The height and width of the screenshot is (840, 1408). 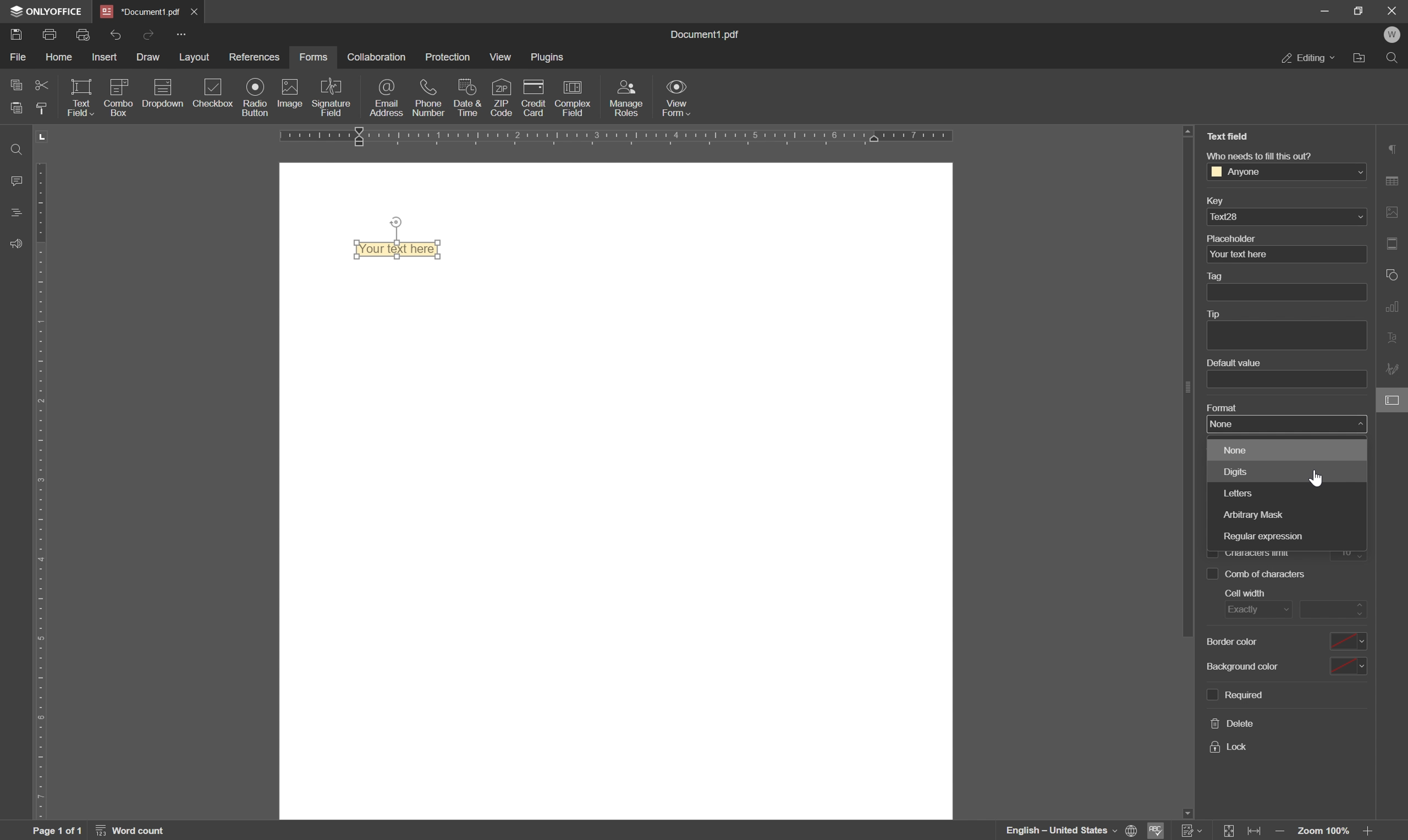 I want to click on radio button, so click(x=254, y=98).